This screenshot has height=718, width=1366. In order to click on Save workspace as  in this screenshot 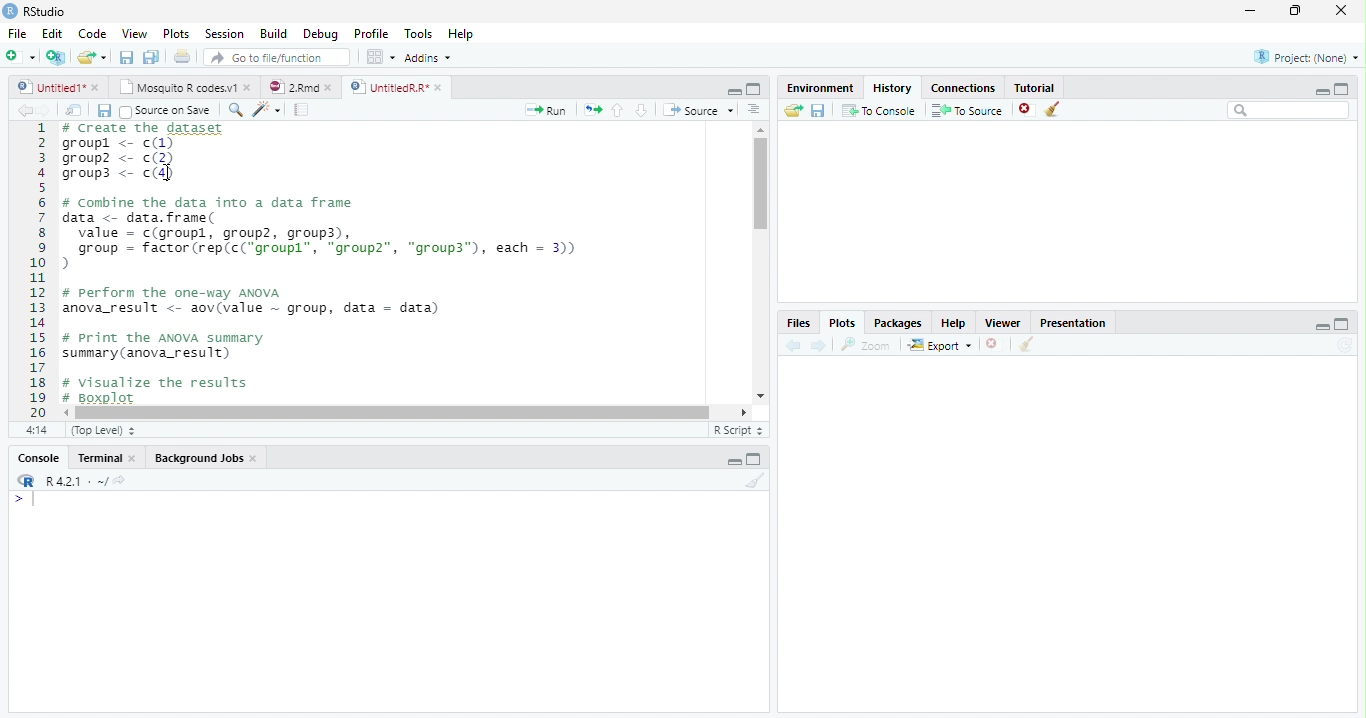, I will do `click(821, 111)`.